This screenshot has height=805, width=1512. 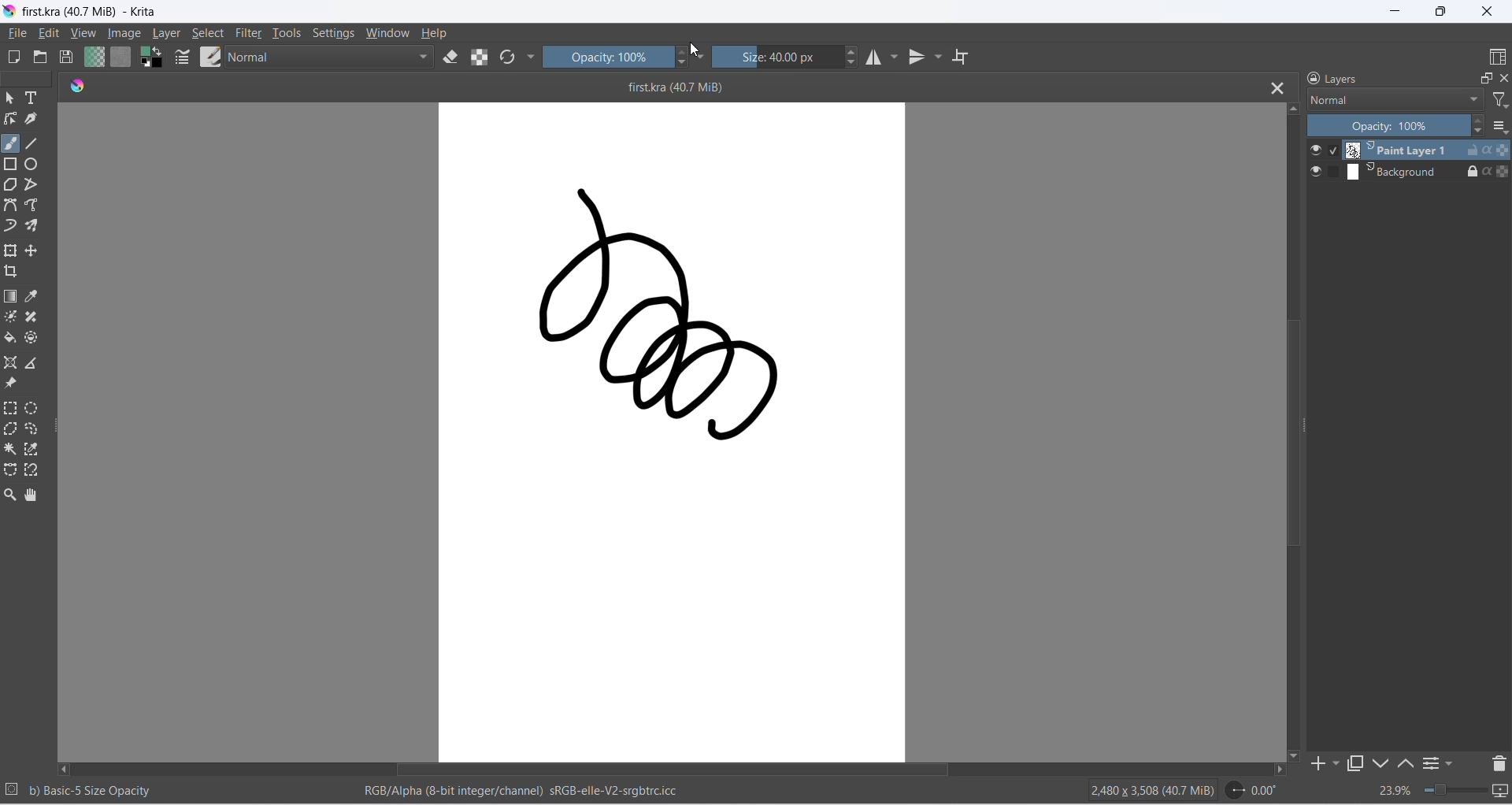 I want to click on Alpha locked, so click(x=1502, y=172).